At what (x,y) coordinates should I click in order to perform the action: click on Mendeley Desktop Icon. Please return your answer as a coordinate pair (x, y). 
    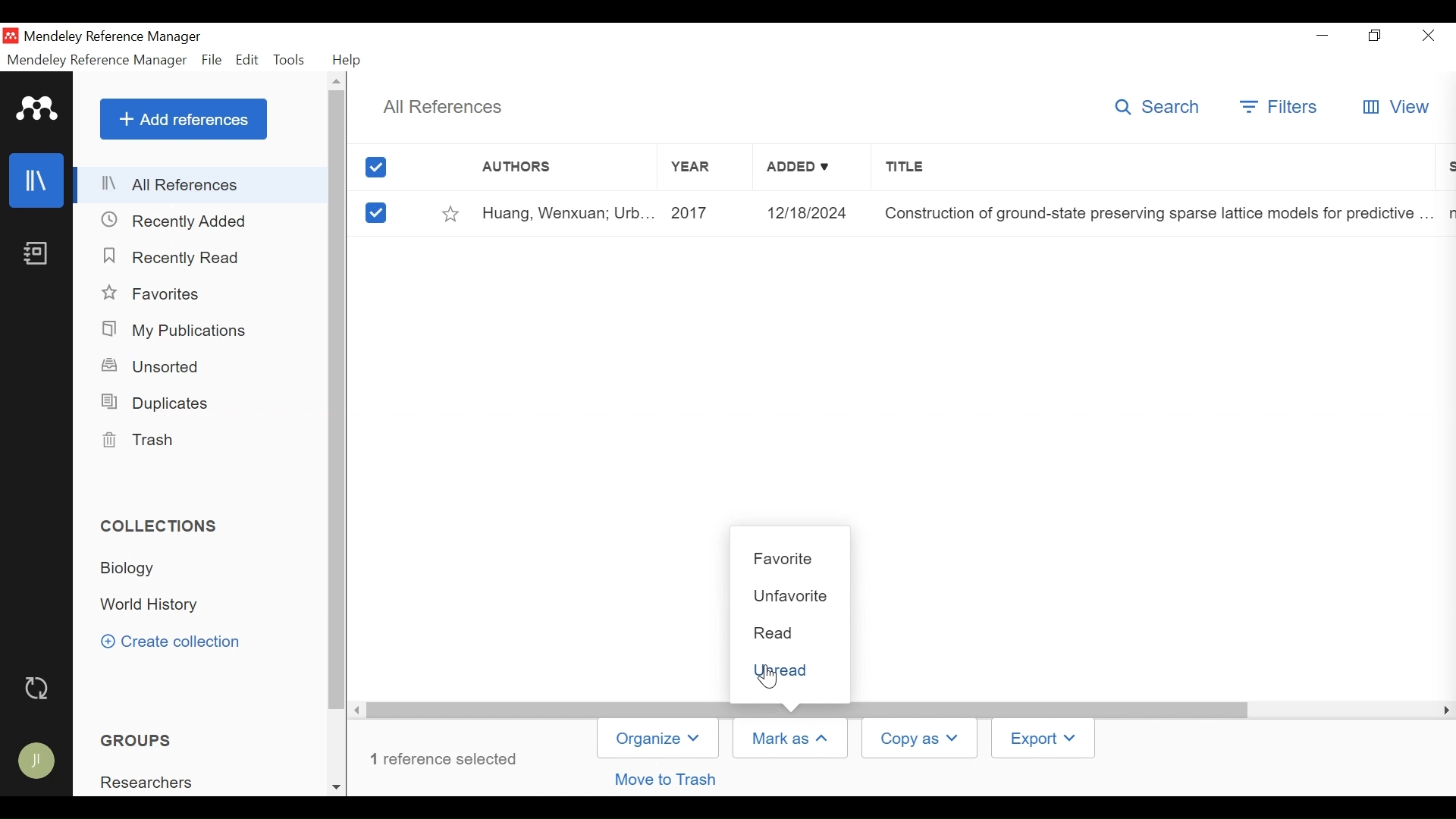
    Looking at the image, I should click on (10, 35).